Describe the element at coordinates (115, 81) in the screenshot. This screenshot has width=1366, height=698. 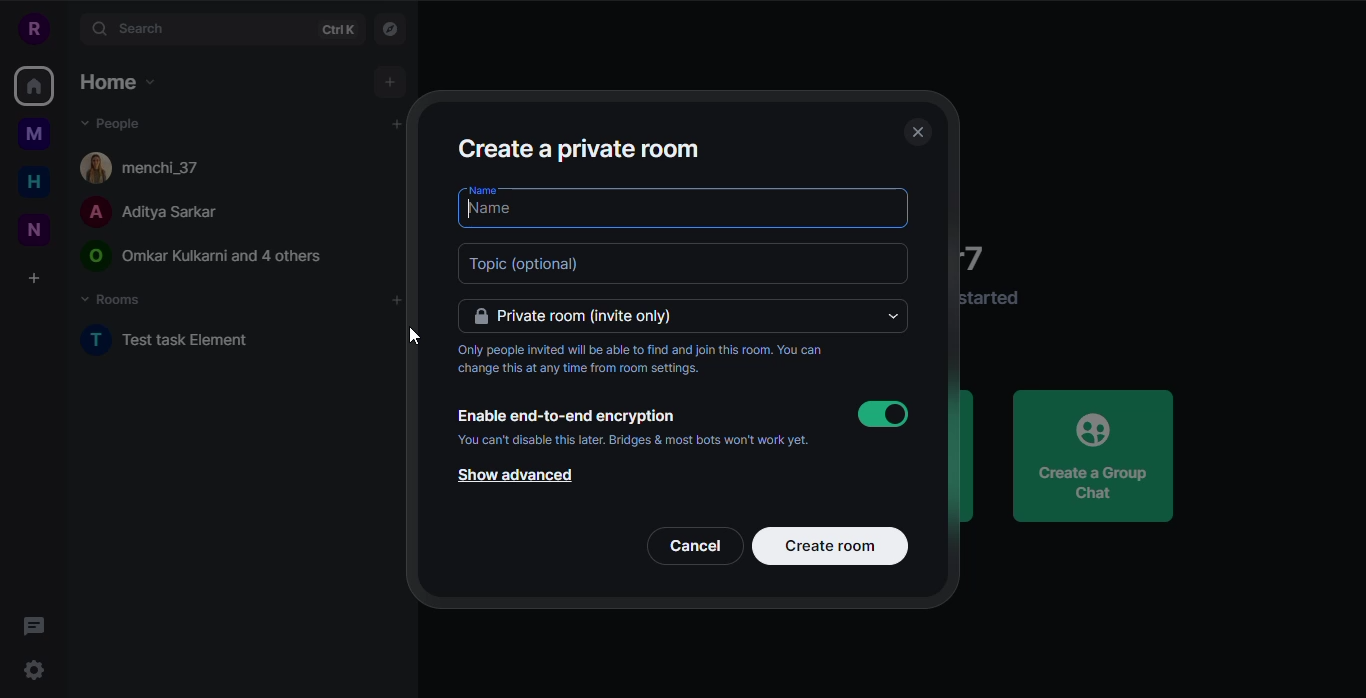
I see `home` at that location.